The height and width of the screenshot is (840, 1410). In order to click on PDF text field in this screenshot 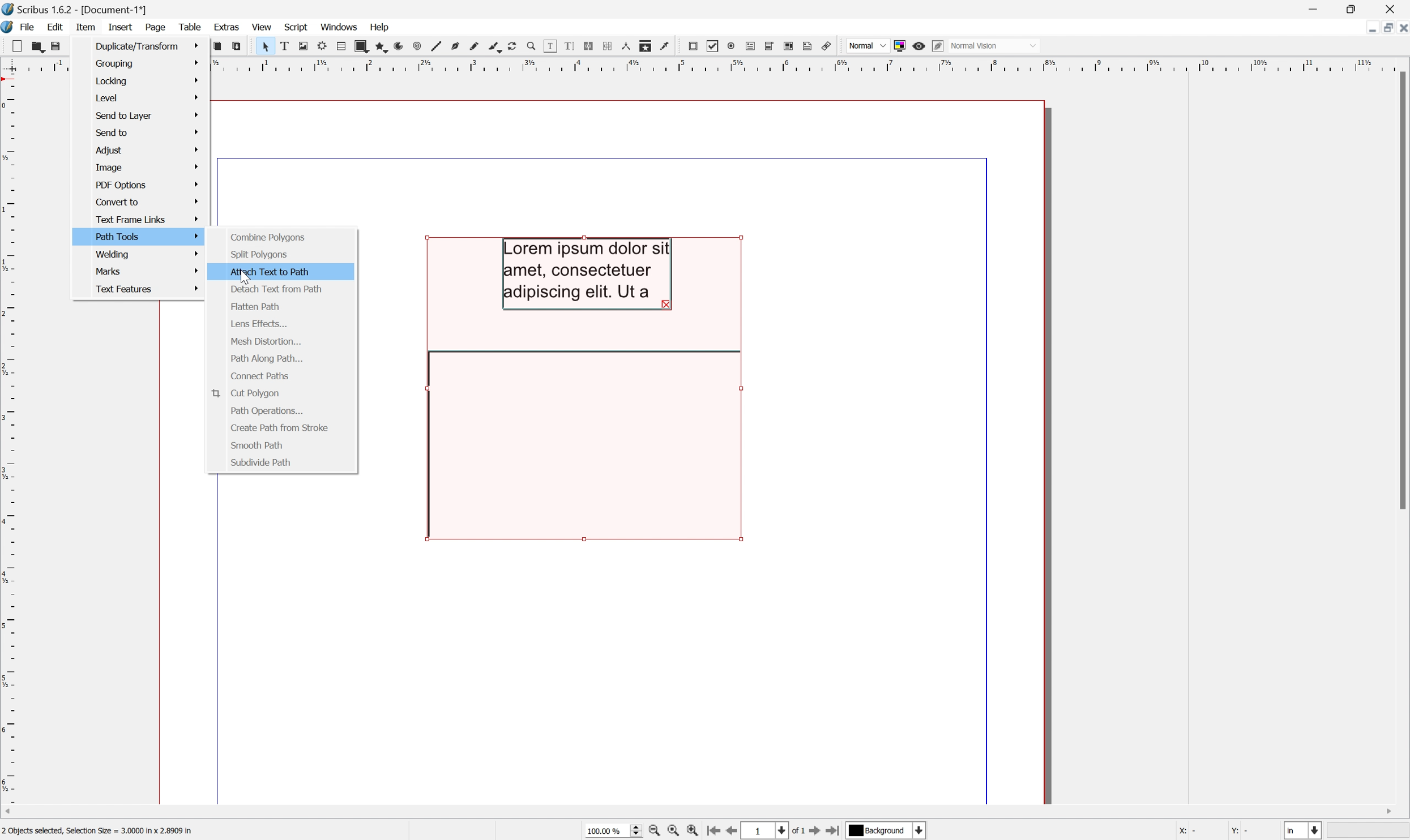, I will do `click(748, 46)`.